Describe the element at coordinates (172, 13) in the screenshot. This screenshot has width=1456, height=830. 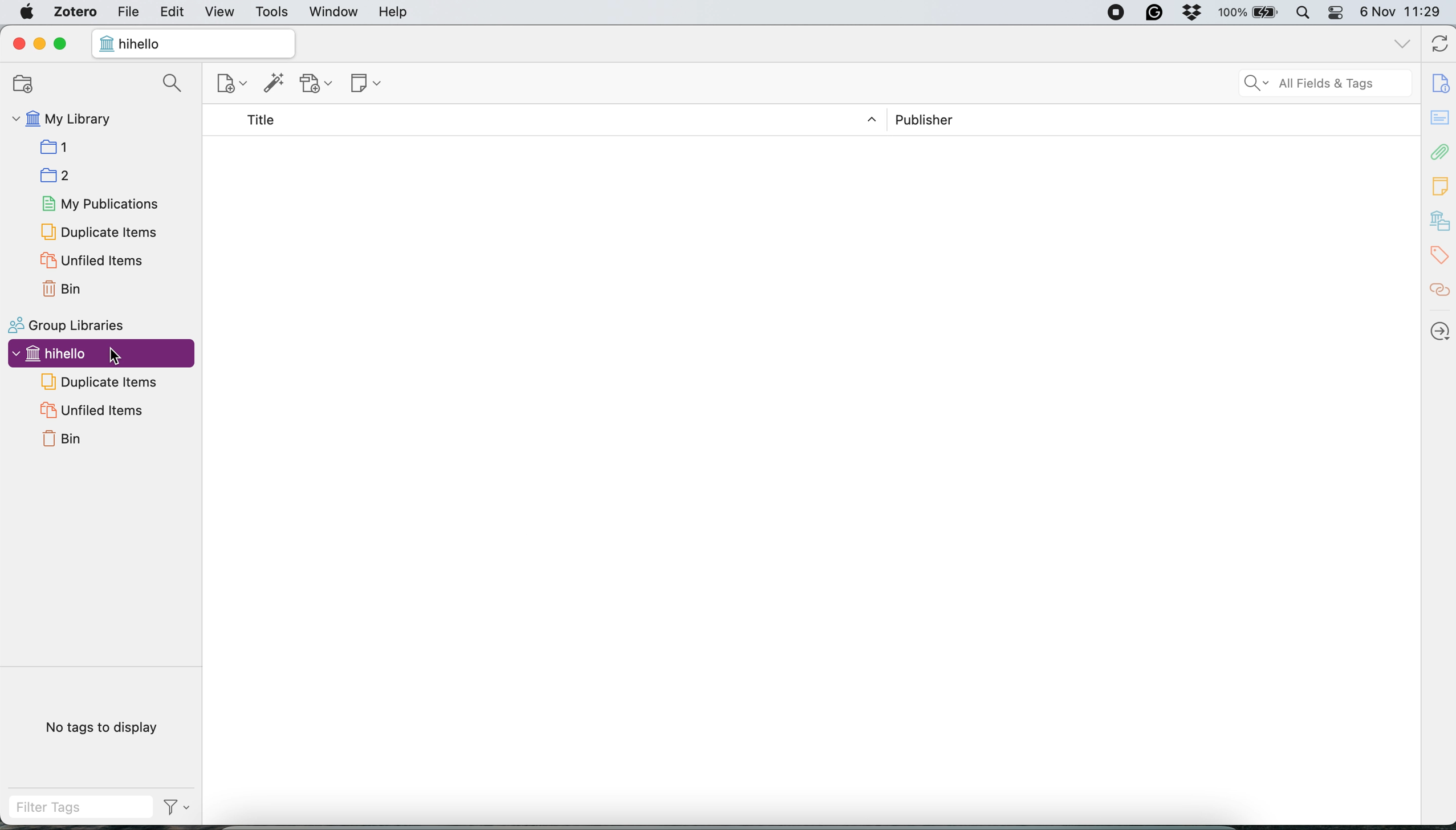
I see `edit` at that location.